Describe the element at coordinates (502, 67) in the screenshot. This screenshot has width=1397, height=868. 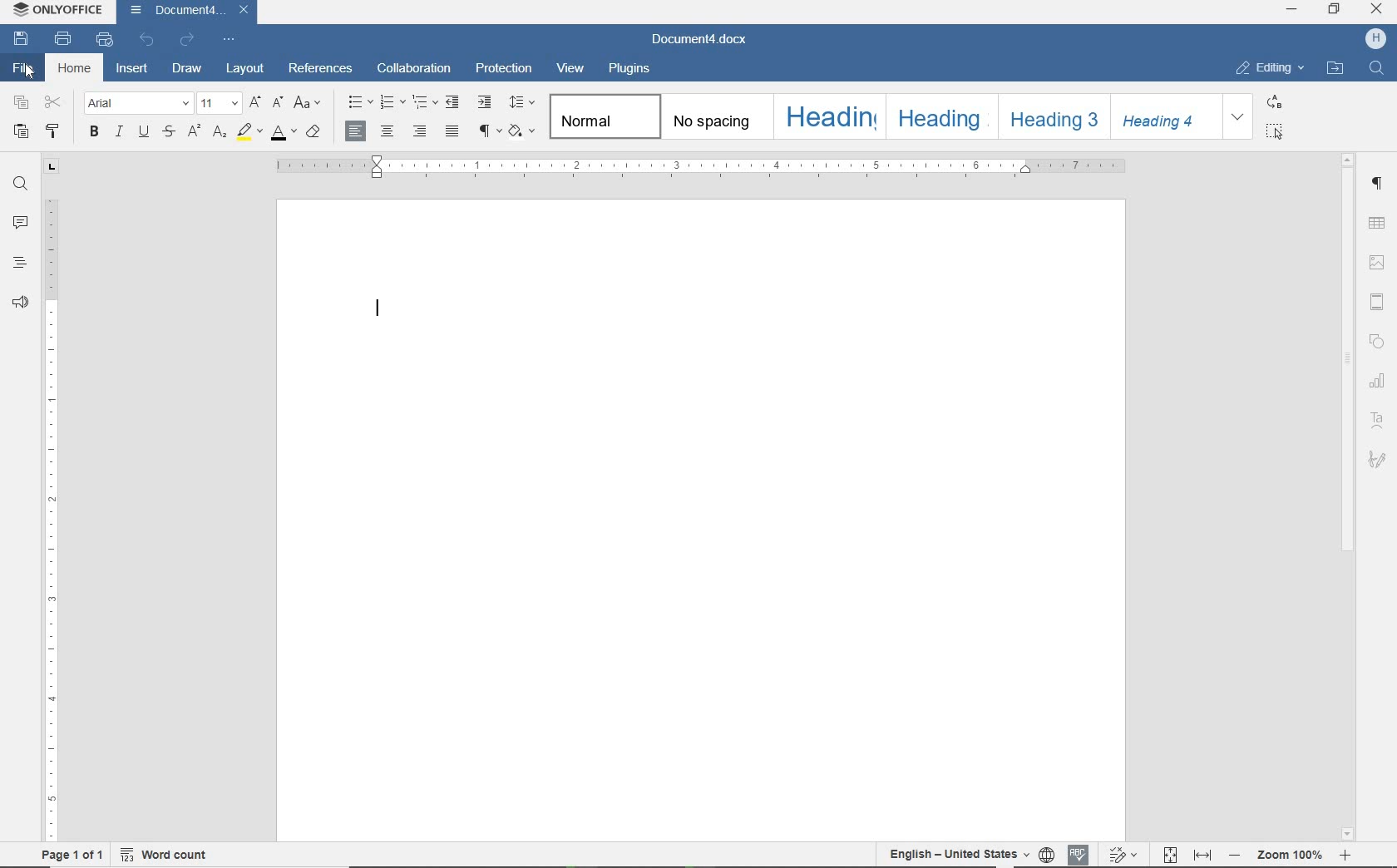
I see `protection` at that location.